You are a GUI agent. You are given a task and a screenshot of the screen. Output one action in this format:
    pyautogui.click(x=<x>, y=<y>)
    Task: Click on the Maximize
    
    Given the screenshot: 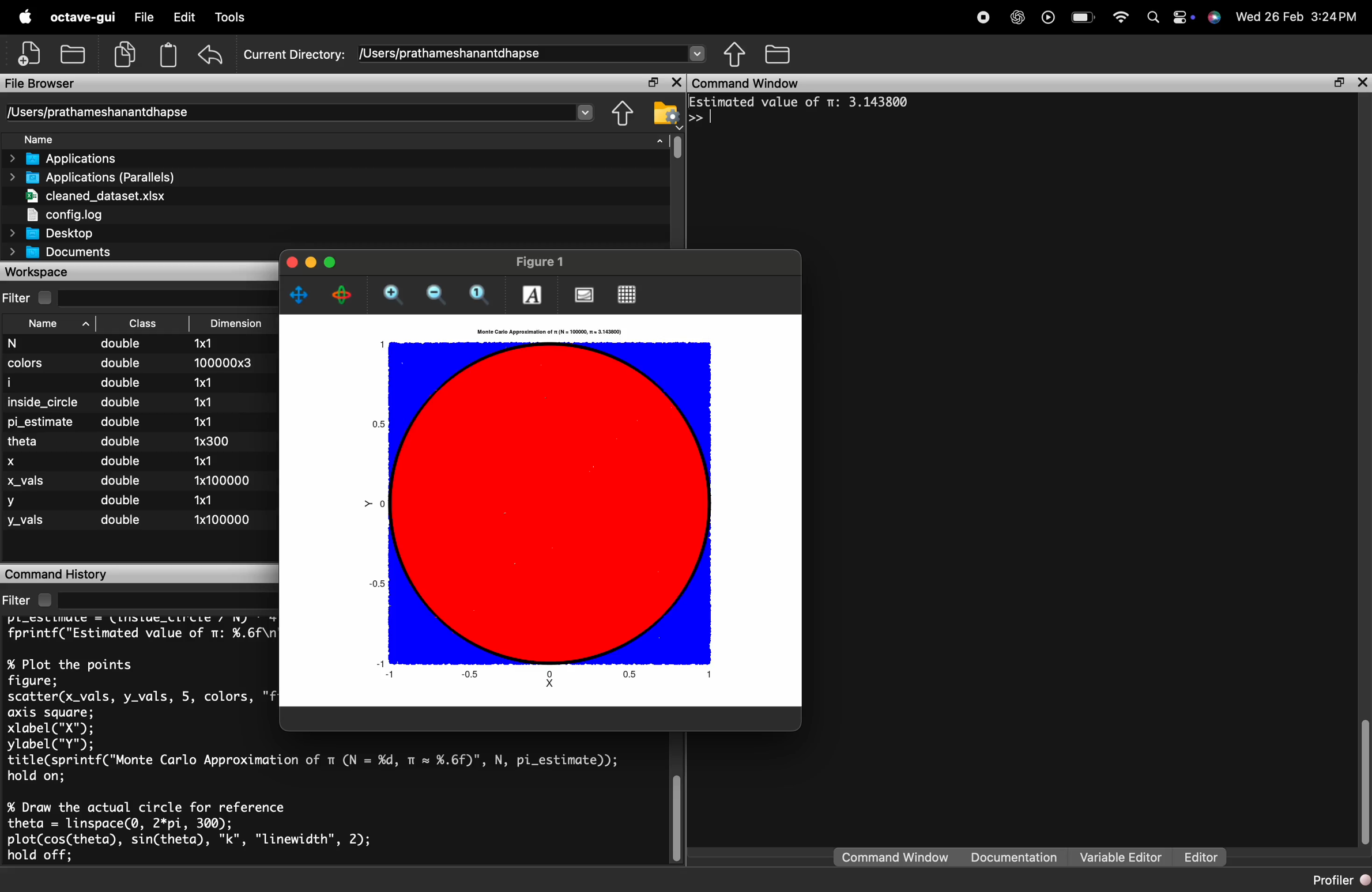 What is the action you would take?
    pyautogui.click(x=651, y=83)
    